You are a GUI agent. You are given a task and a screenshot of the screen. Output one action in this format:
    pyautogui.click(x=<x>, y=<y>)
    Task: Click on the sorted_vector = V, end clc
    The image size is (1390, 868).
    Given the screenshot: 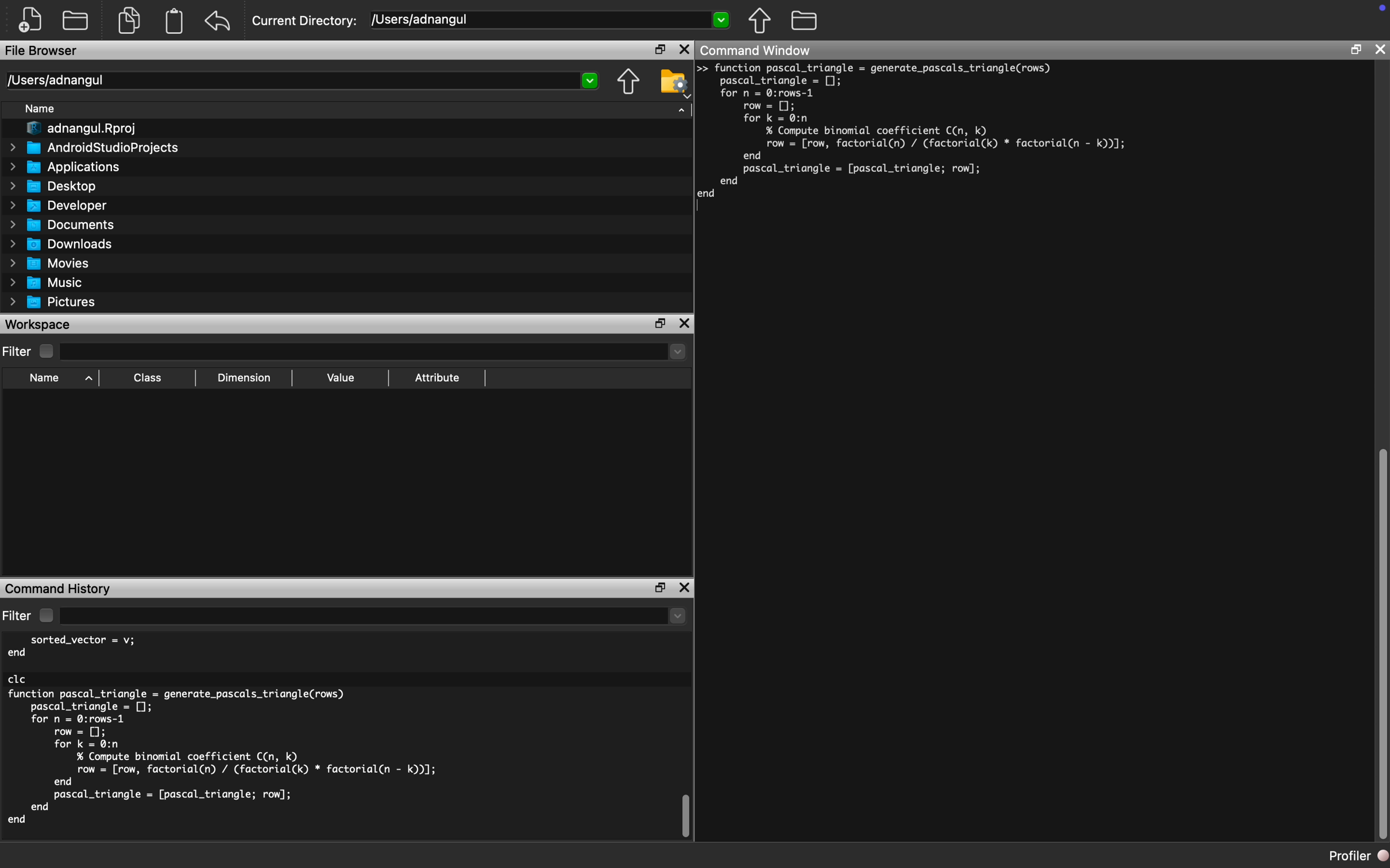 What is the action you would take?
    pyautogui.click(x=87, y=658)
    